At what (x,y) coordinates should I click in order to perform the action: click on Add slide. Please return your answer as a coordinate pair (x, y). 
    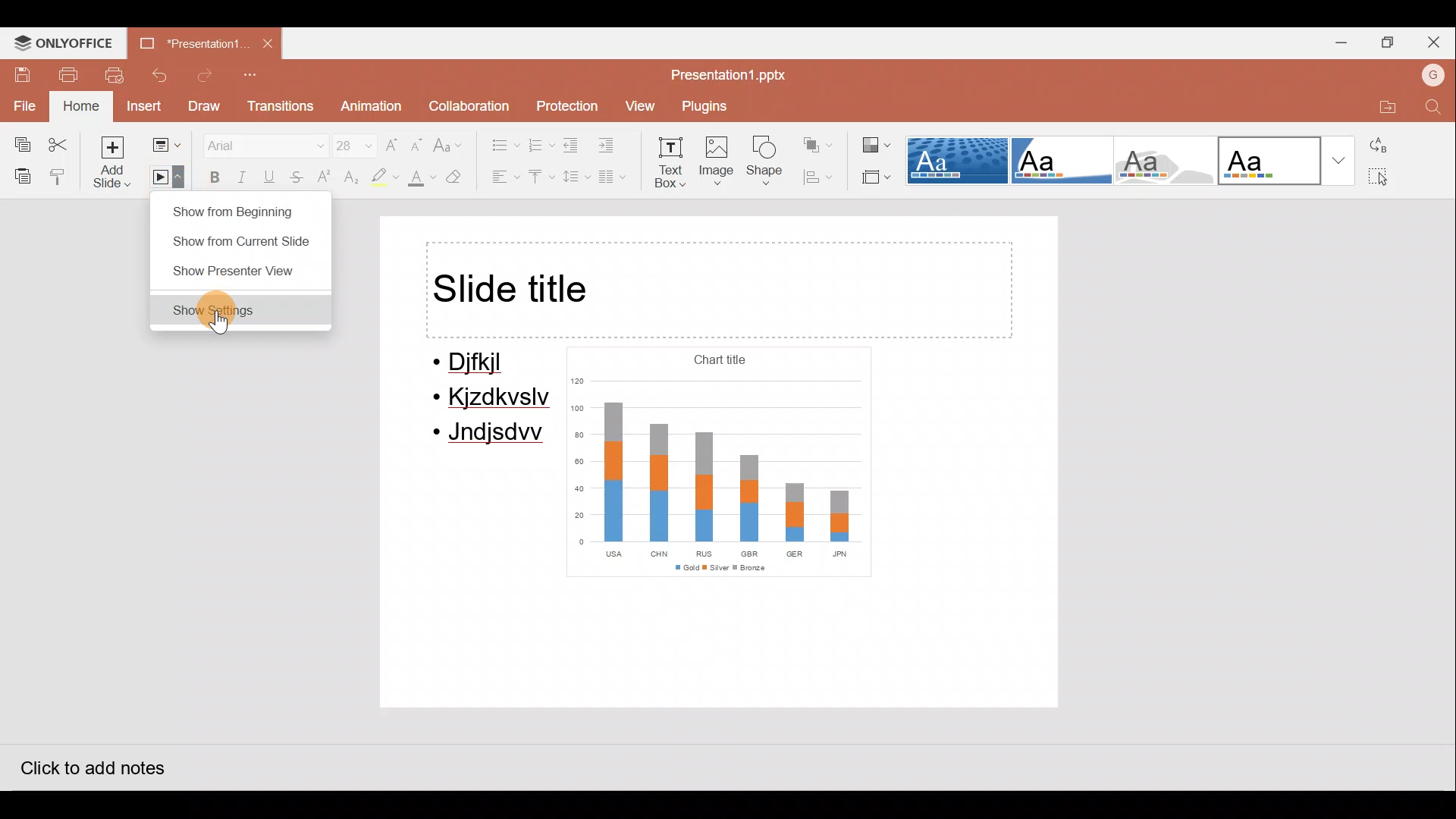
    Looking at the image, I should click on (115, 165).